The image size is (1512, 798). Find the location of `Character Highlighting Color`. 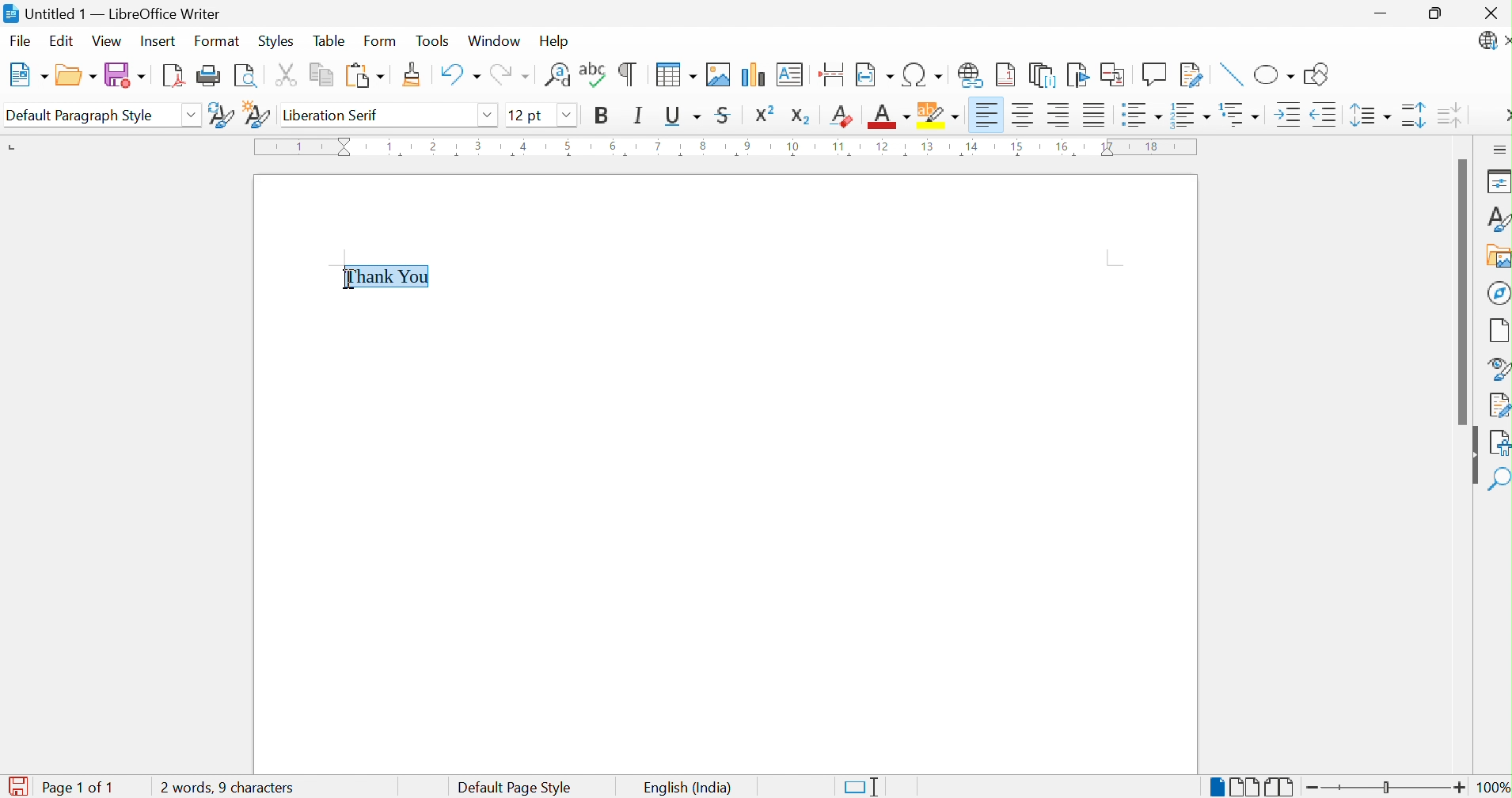

Character Highlighting Color is located at coordinates (940, 112).